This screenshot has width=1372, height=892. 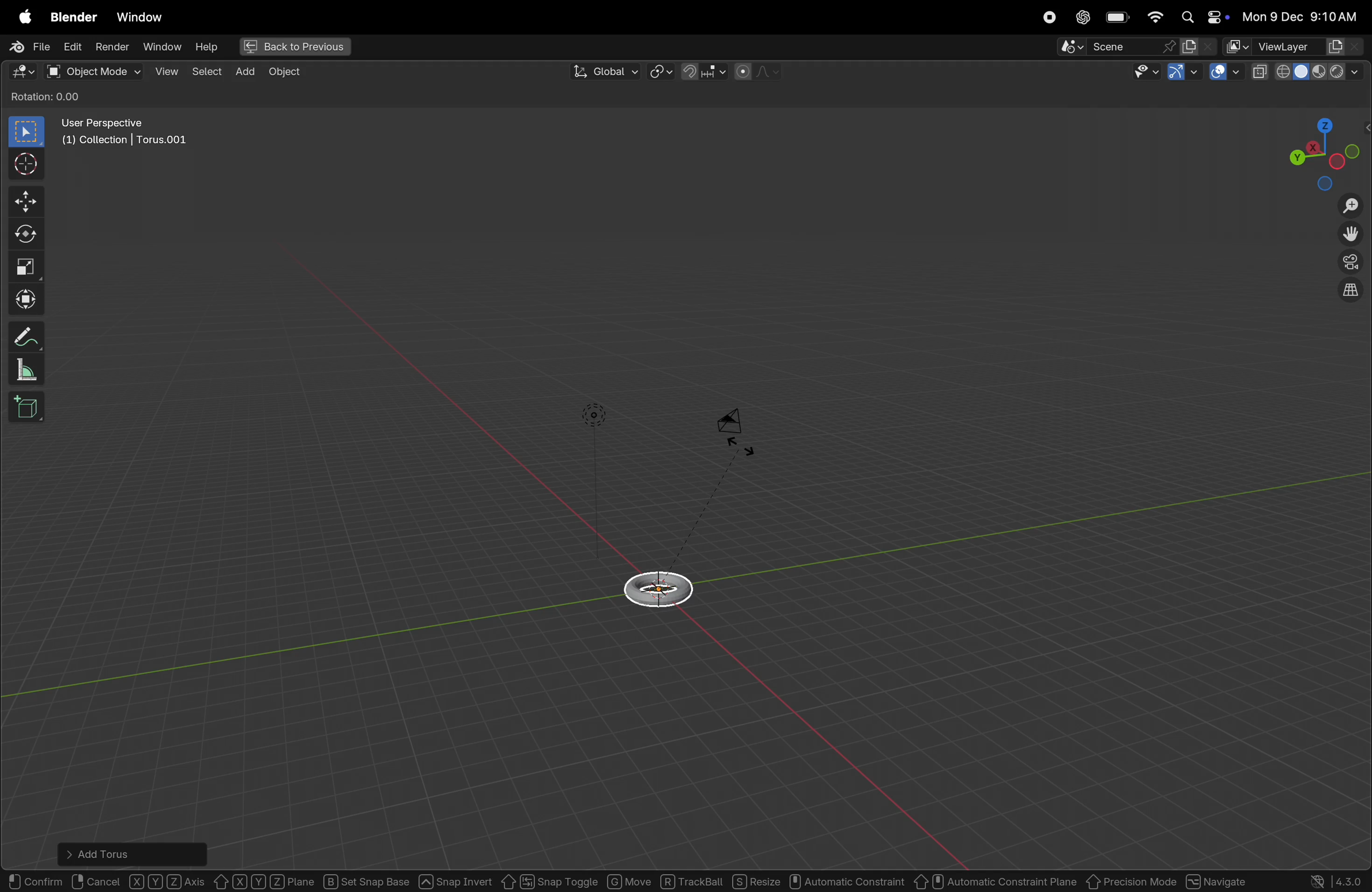 I want to click on copy, so click(x=1260, y=72).